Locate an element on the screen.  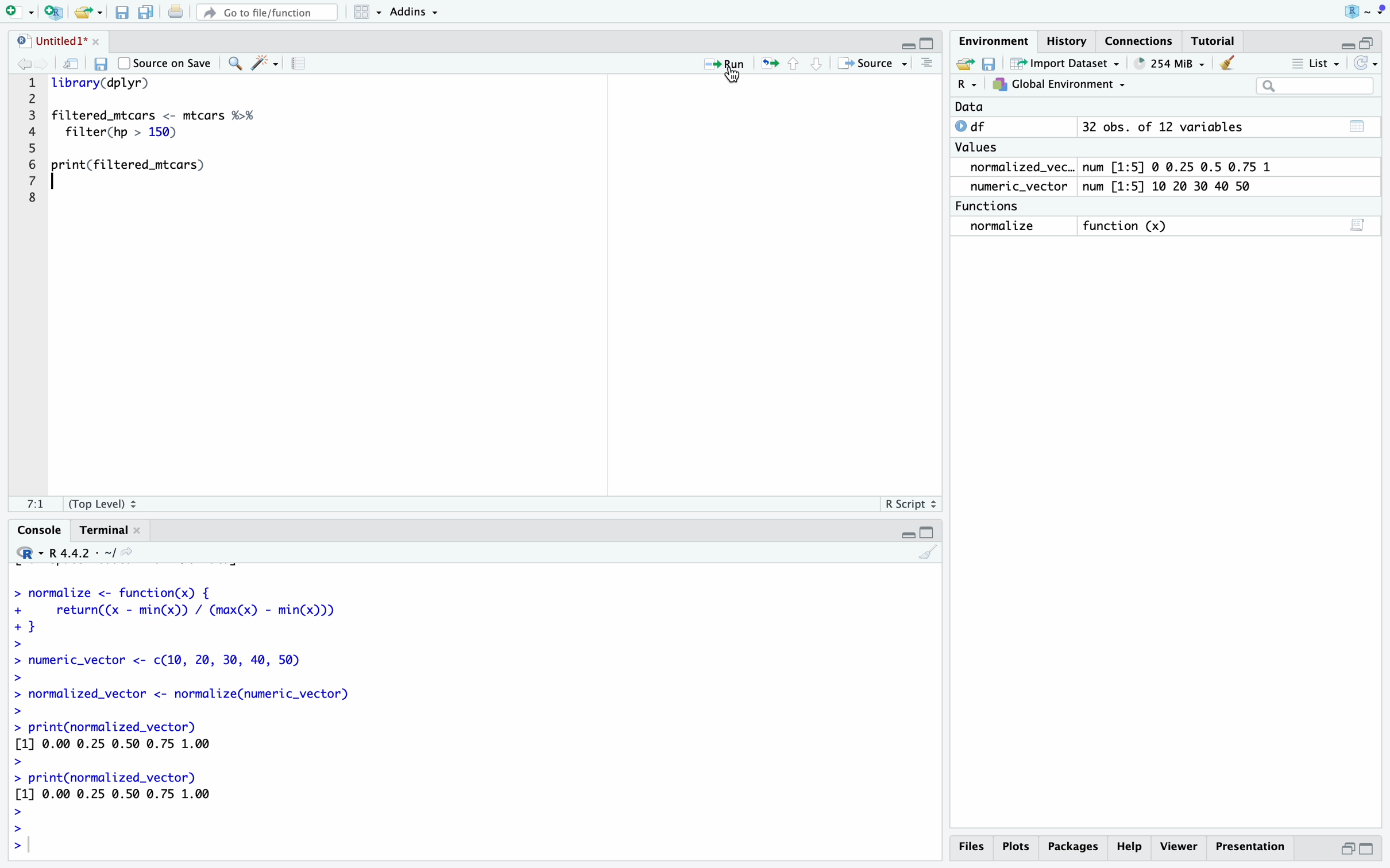
refresh is located at coordinates (1365, 64).